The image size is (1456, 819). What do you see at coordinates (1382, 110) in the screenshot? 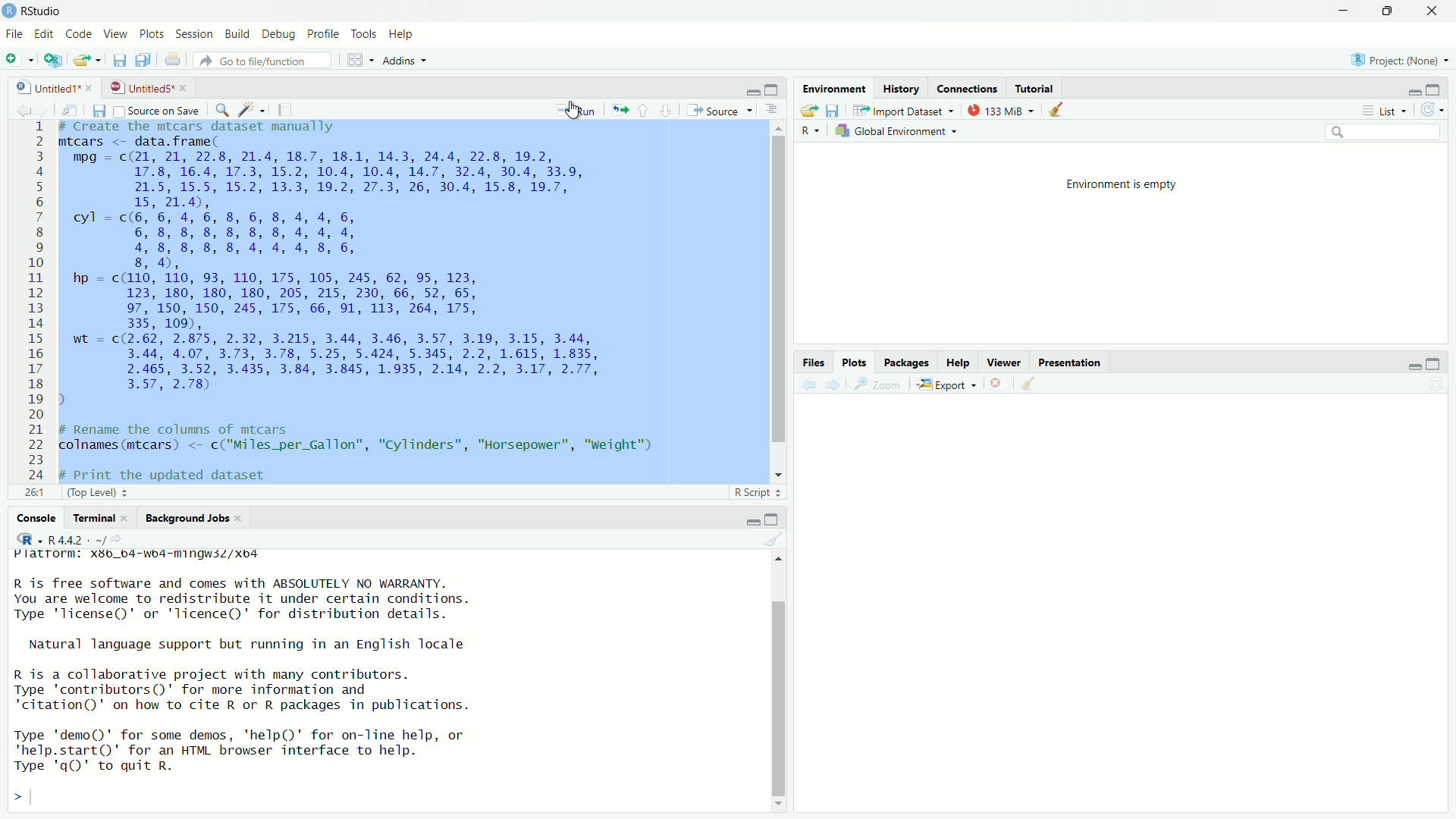
I see `List =` at bounding box center [1382, 110].